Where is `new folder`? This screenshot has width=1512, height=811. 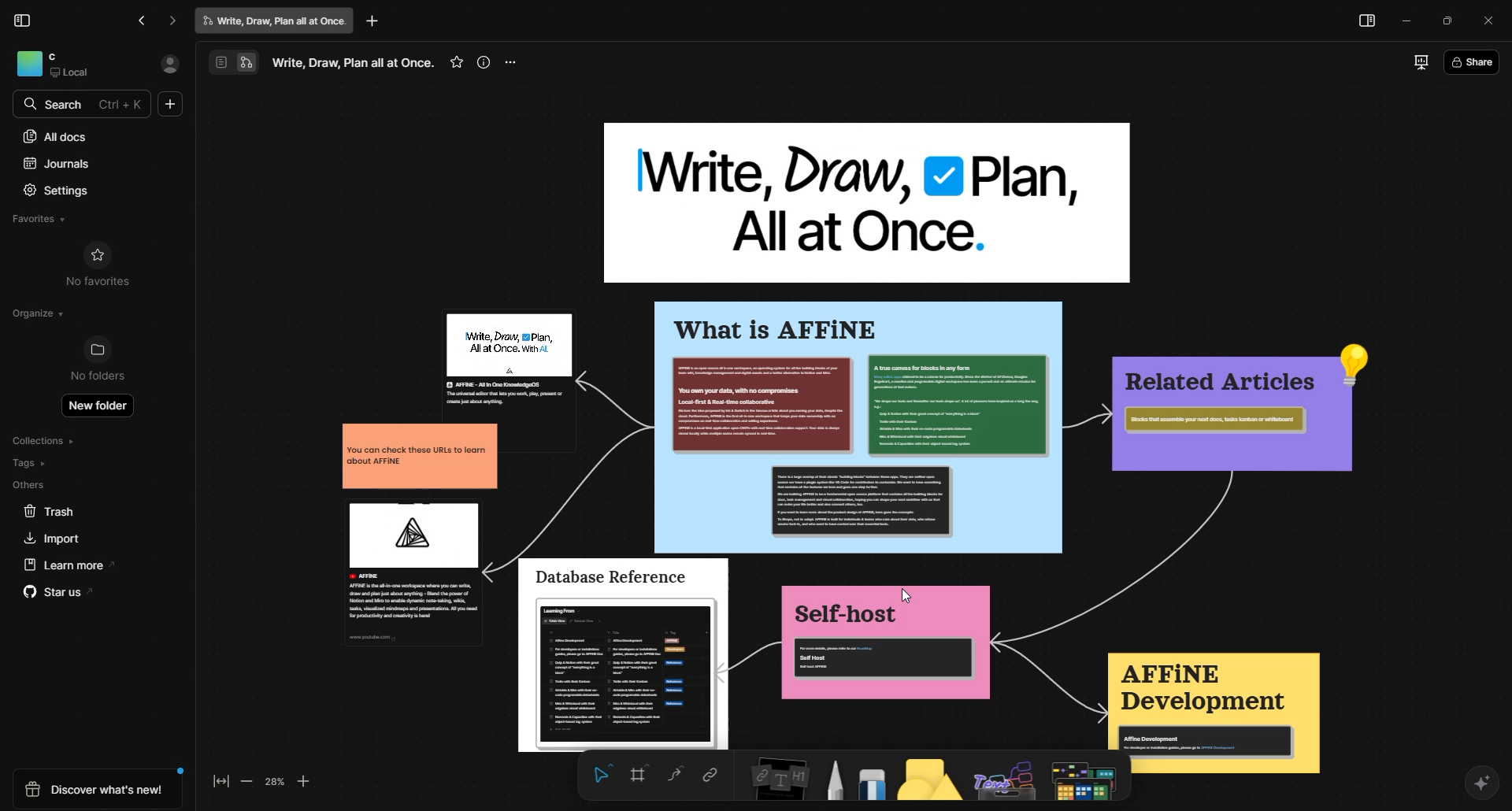
new folder is located at coordinates (102, 409).